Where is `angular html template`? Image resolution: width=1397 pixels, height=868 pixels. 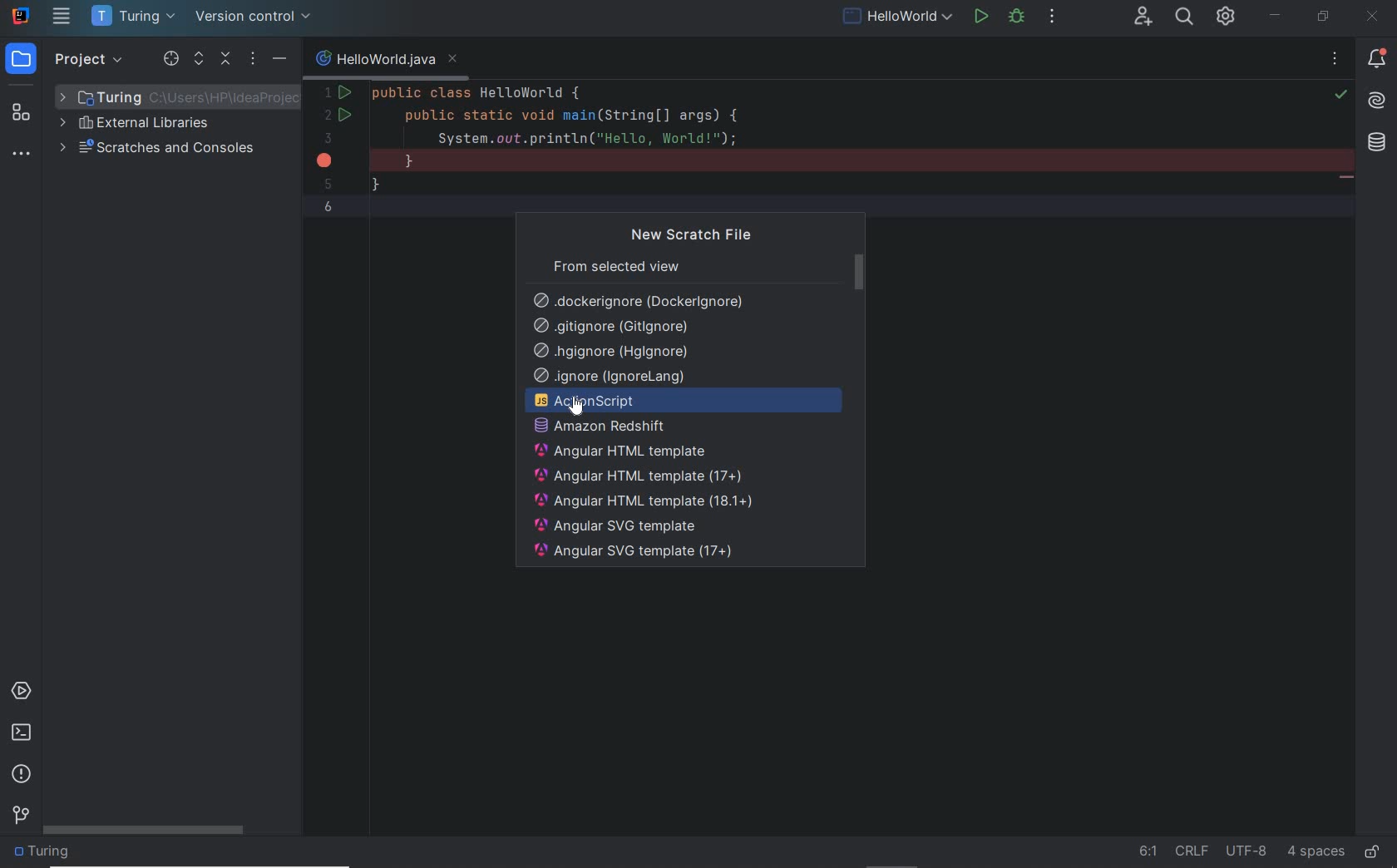 angular html template is located at coordinates (621, 451).